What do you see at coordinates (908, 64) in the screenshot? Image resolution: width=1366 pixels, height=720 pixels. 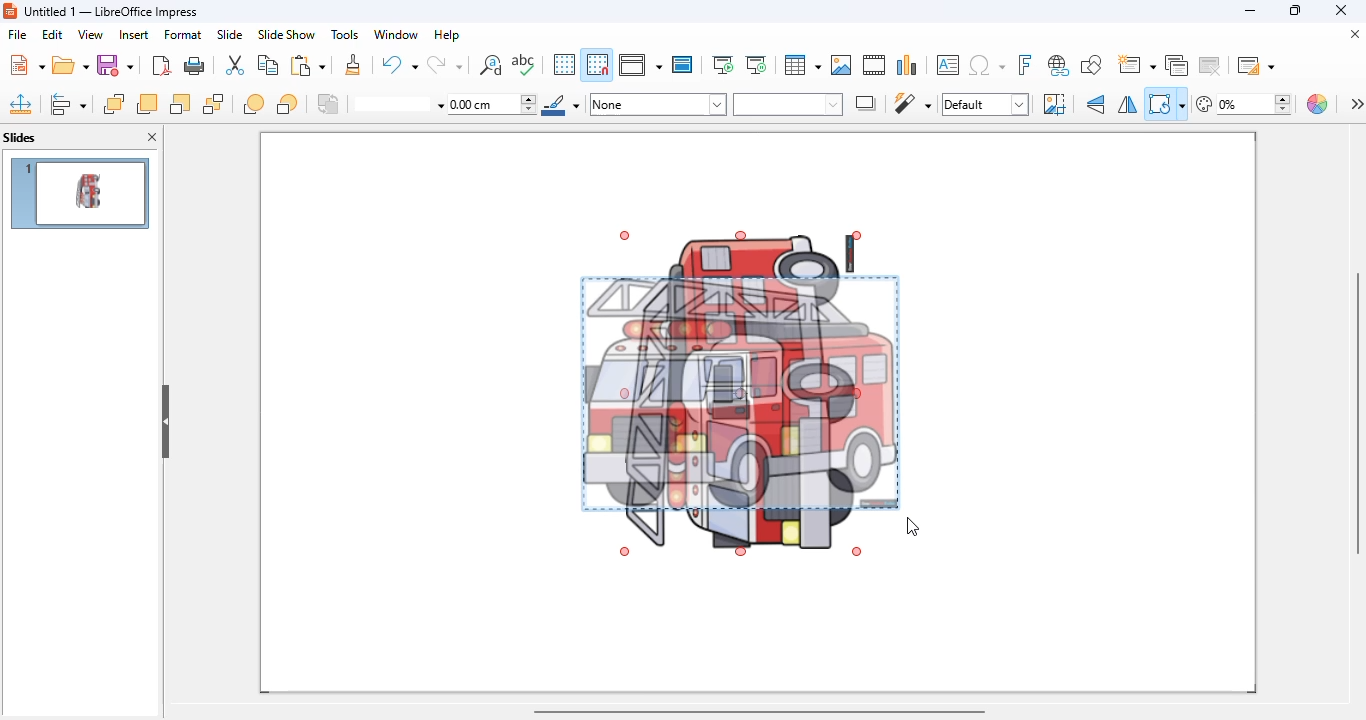 I see `insert chart` at bounding box center [908, 64].